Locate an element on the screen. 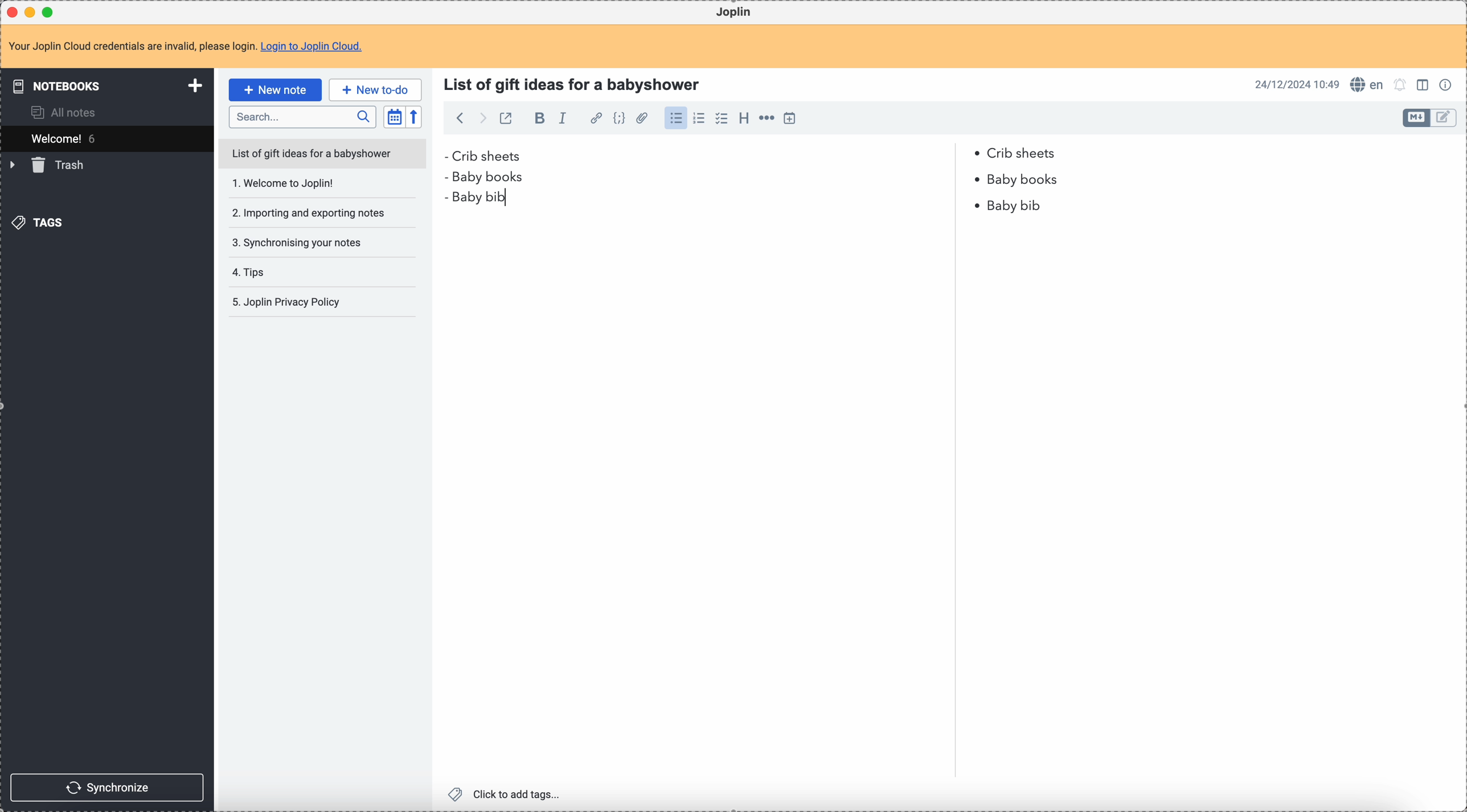 This screenshot has height=812, width=1467. synchronize is located at coordinates (109, 786).